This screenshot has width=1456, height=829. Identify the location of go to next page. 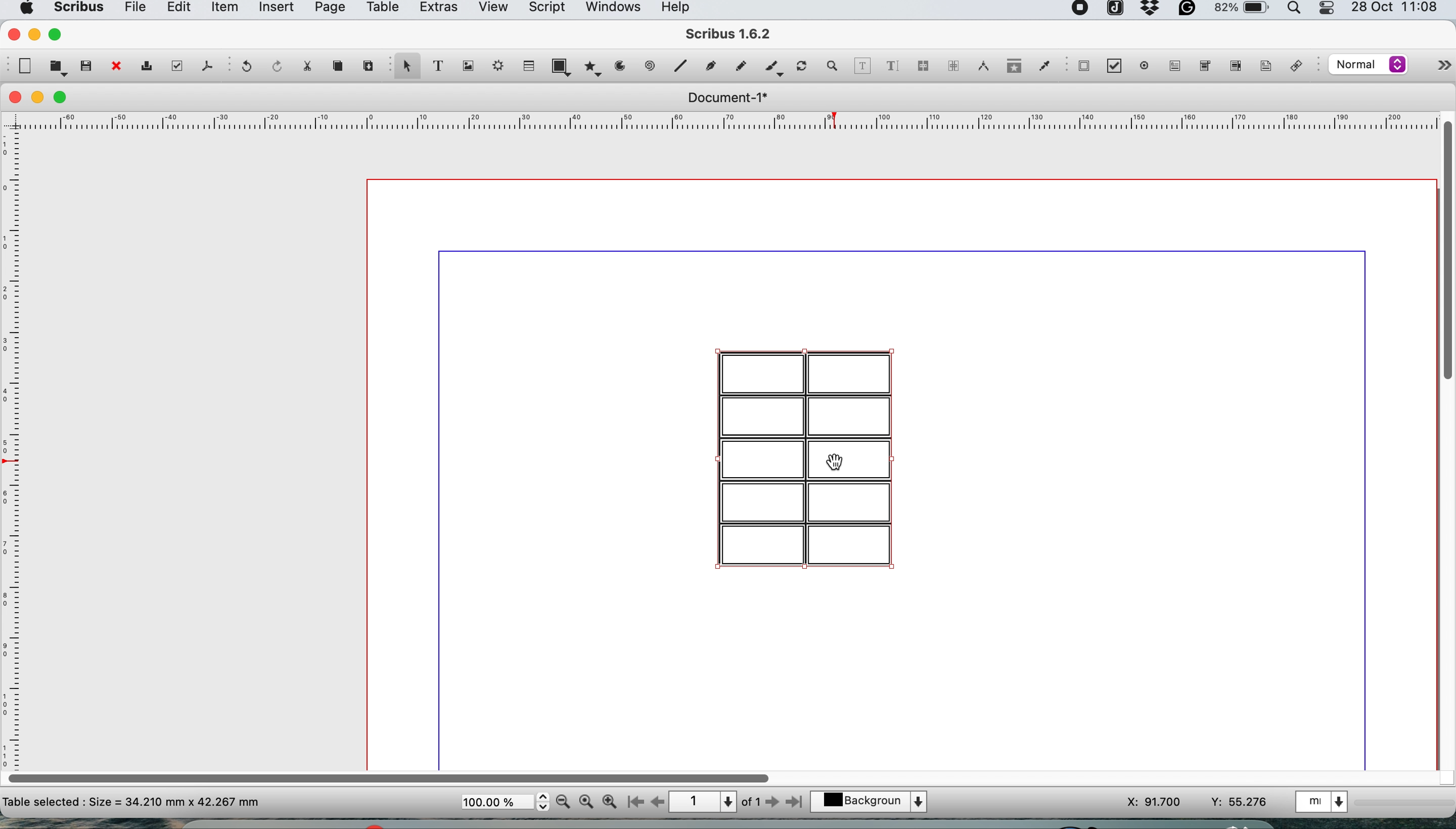
(772, 803).